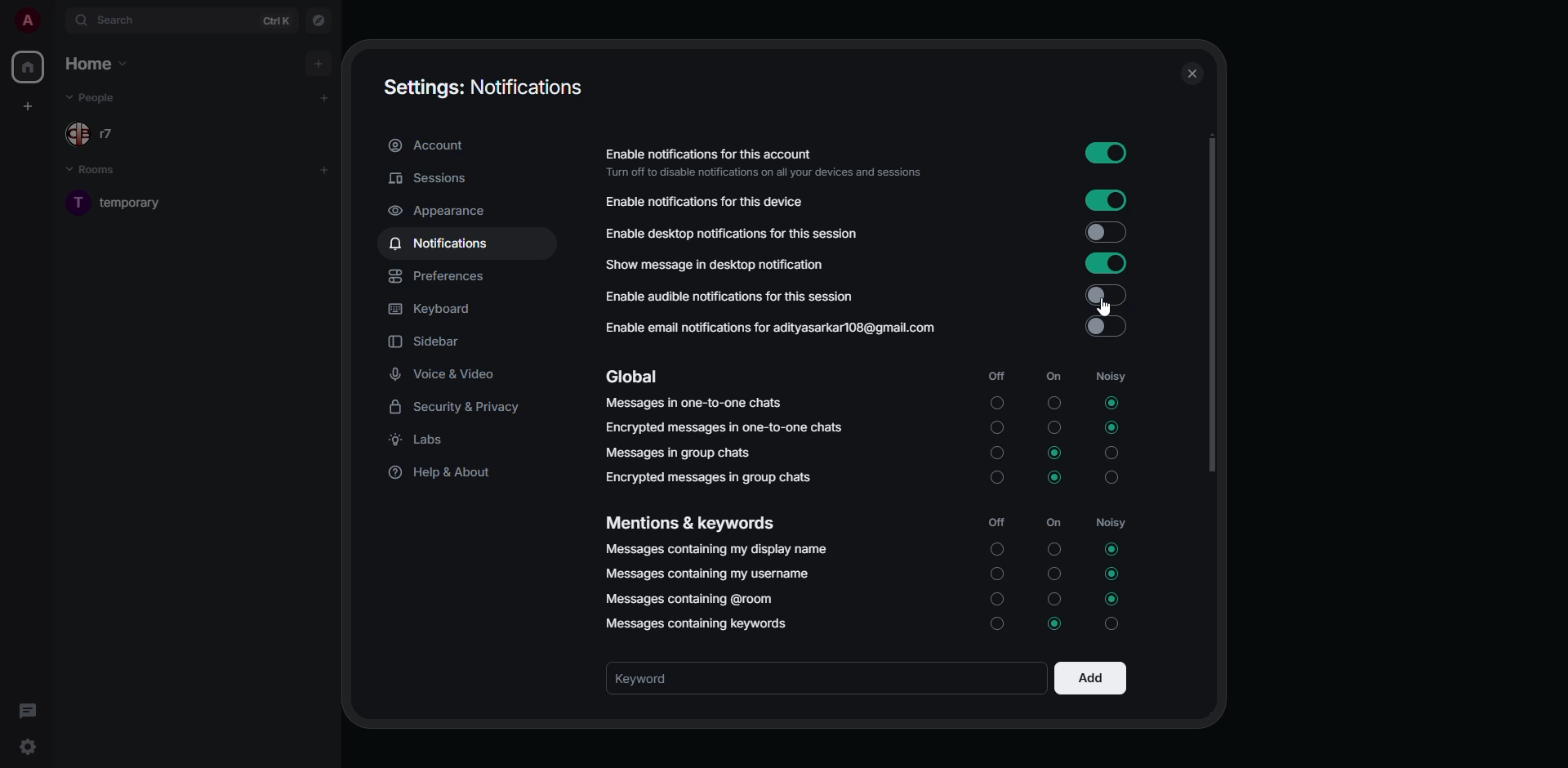 The height and width of the screenshot is (768, 1568). I want to click on appearance, so click(443, 211).